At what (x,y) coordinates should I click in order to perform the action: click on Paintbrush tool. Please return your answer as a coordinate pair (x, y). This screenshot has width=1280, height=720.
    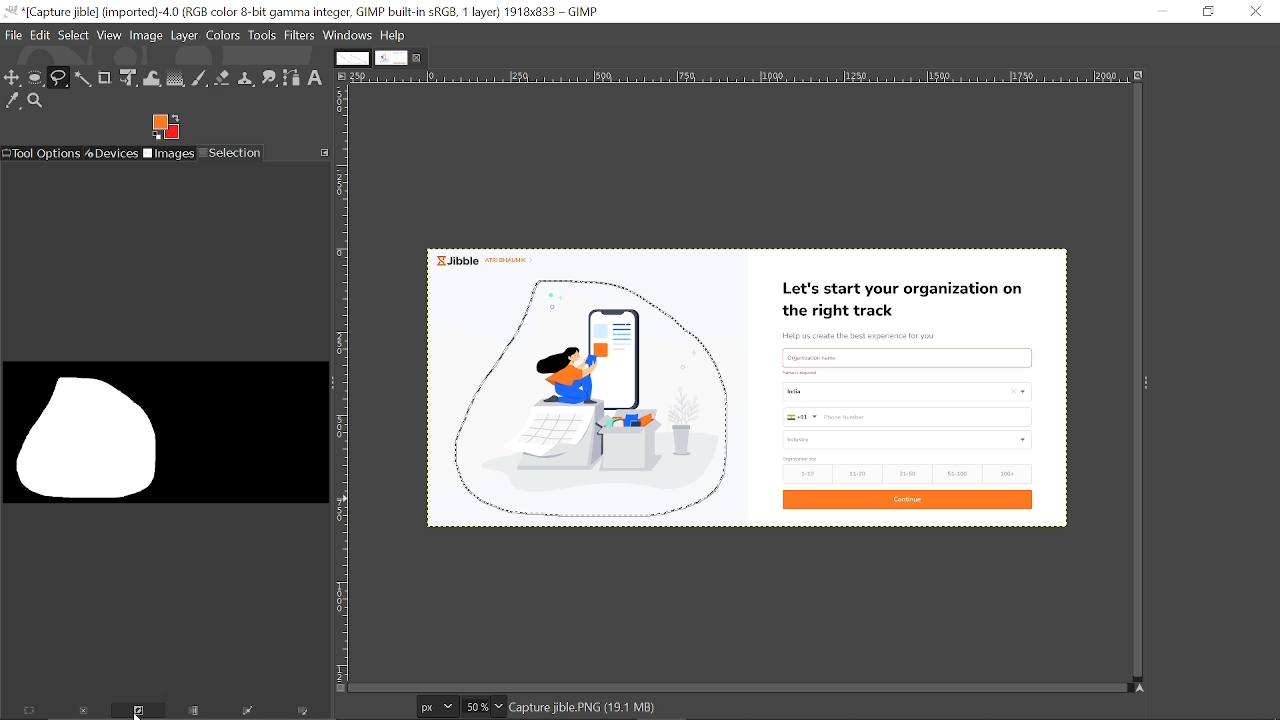
    Looking at the image, I should click on (200, 79).